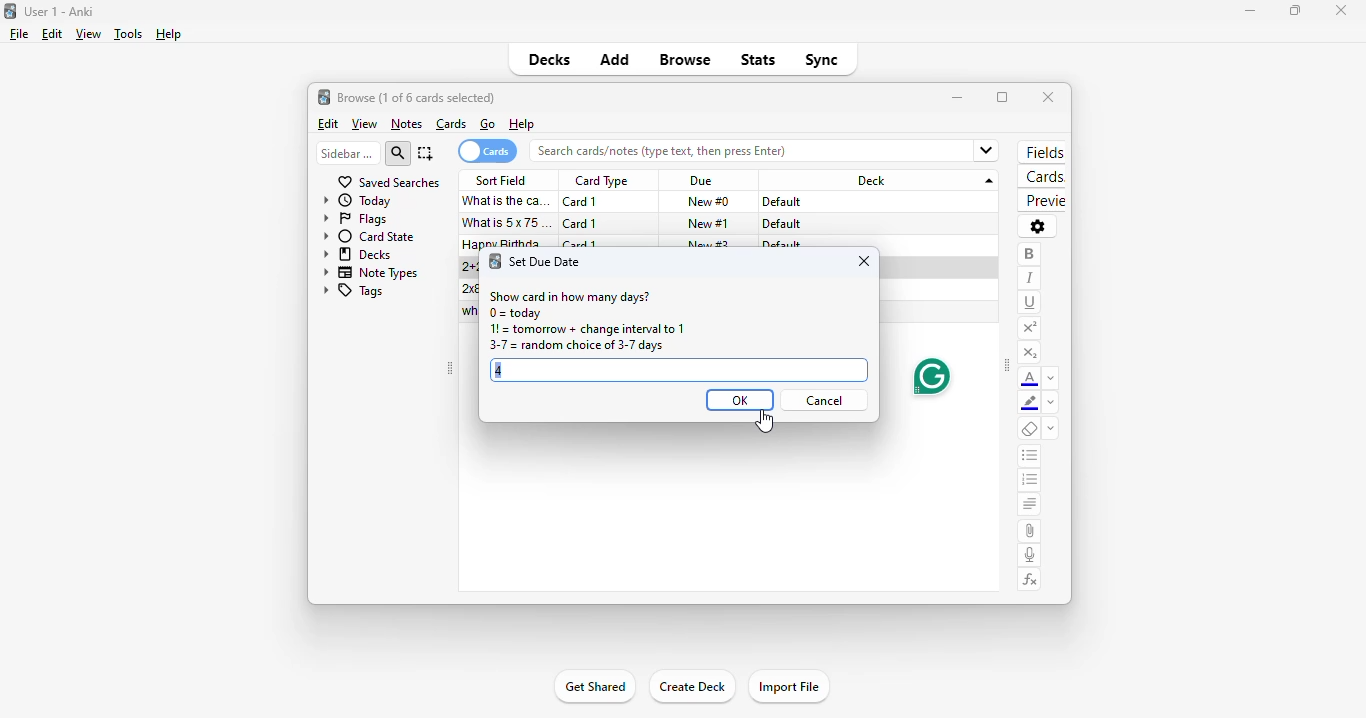 Image resolution: width=1366 pixels, height=718 pixels. What do you see at coordinates (574, 347) in the screenshot?
I see `3-7 =  random choice of 3-7 days` at bounding box center [574, 347].